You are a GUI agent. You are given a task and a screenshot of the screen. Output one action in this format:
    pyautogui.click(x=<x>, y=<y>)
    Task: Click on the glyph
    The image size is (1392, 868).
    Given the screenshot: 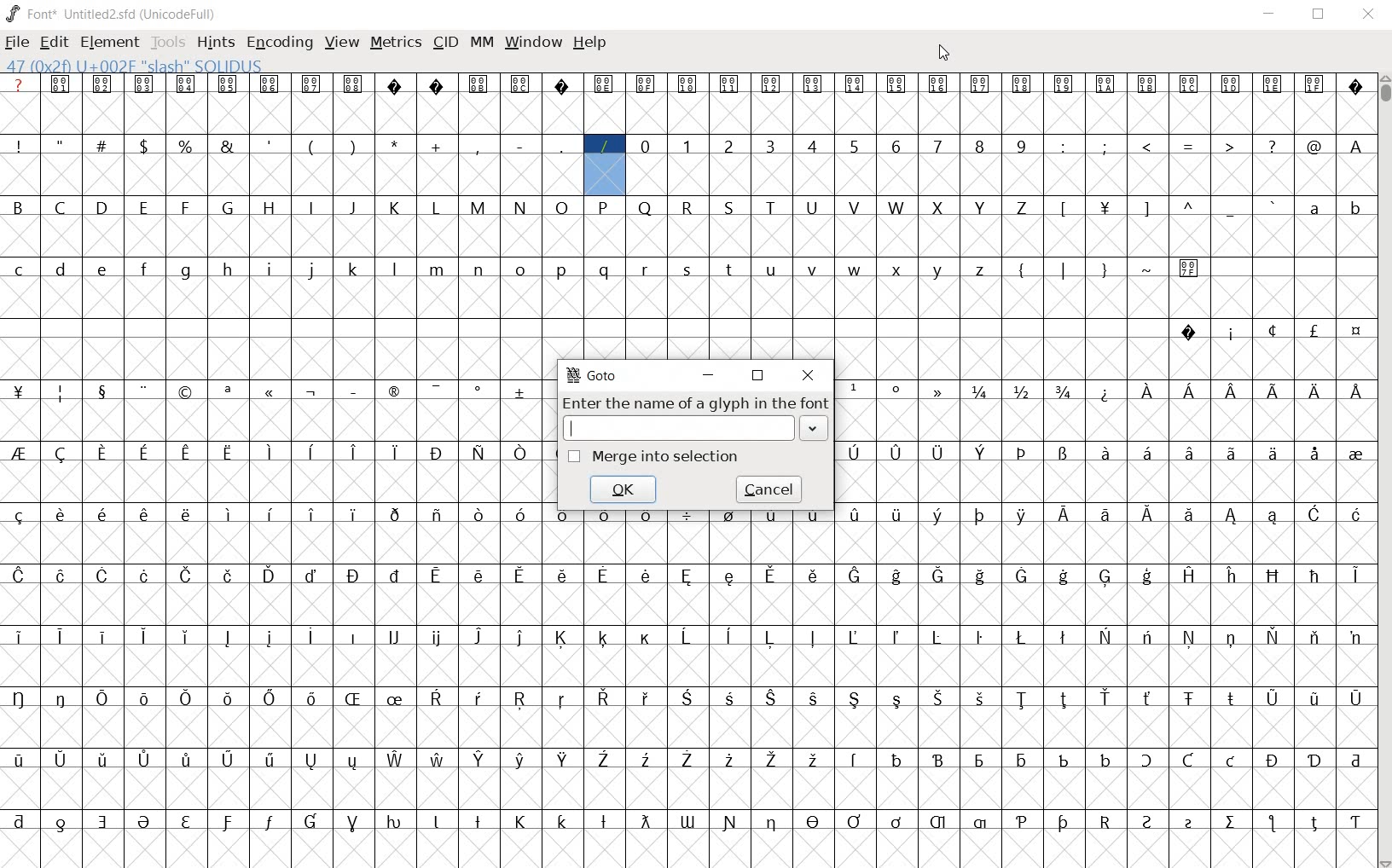 What is the action you would take?
    pyautogui.click(x=855, y=207)
    